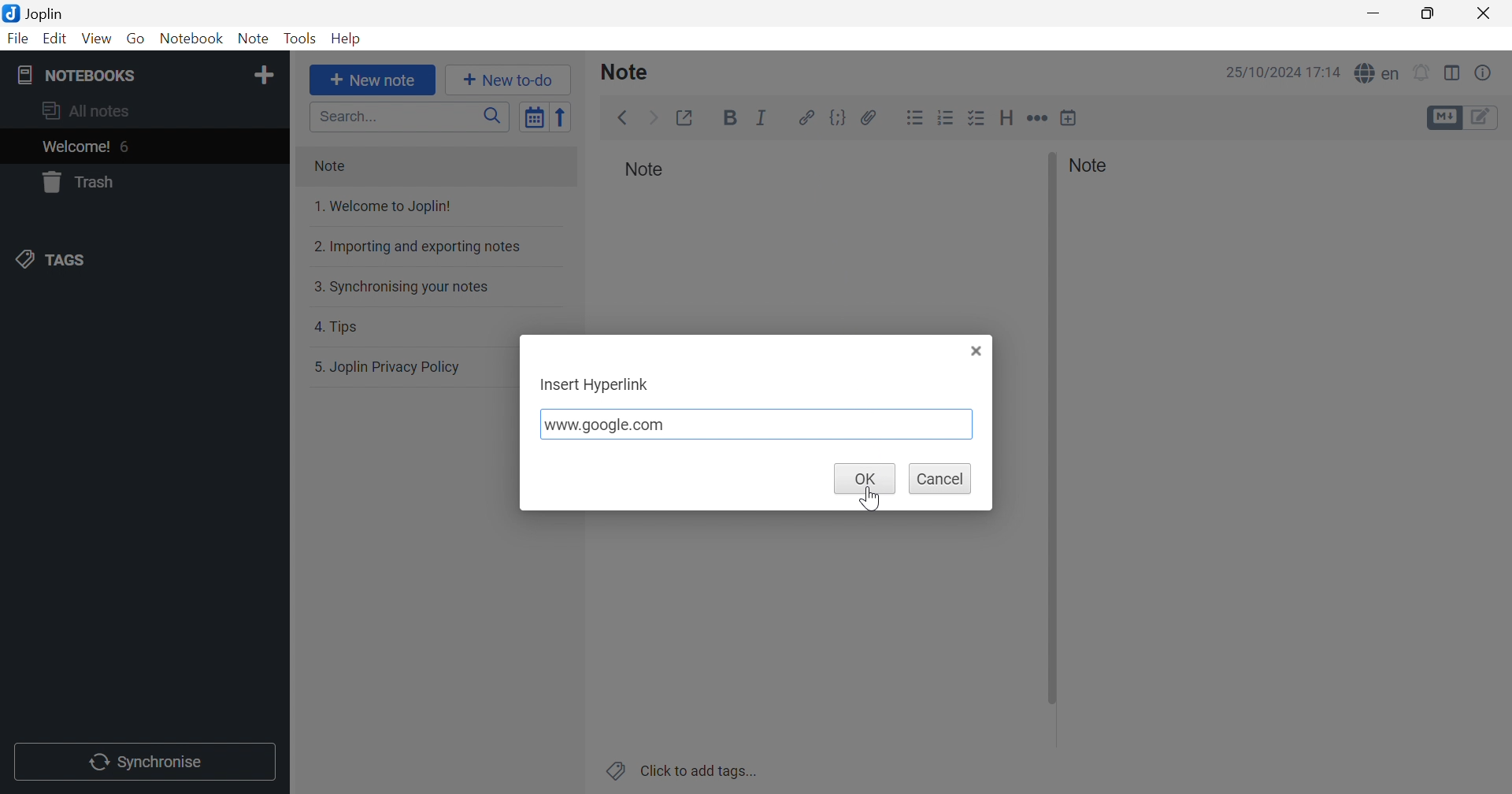 The height and width of the screenshot is (794, 1512). Describe the element at coordinates (1453, 72) in the screenshot. I see `Toggle editor layout` at that location.